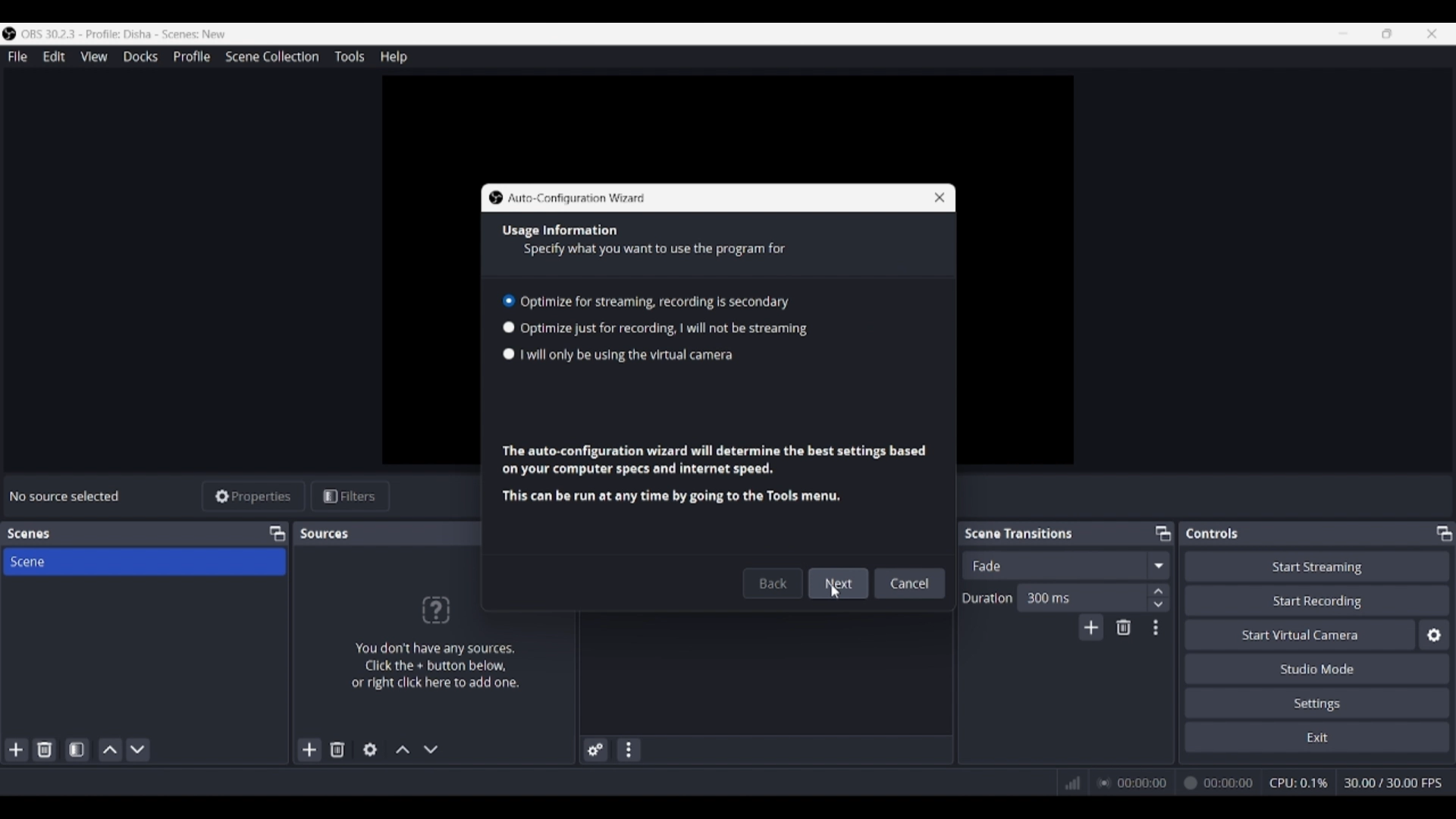  What do you see at coordinates (310, 749) in the screenshot?
I see `Add source` at bounding box center [310, 749].